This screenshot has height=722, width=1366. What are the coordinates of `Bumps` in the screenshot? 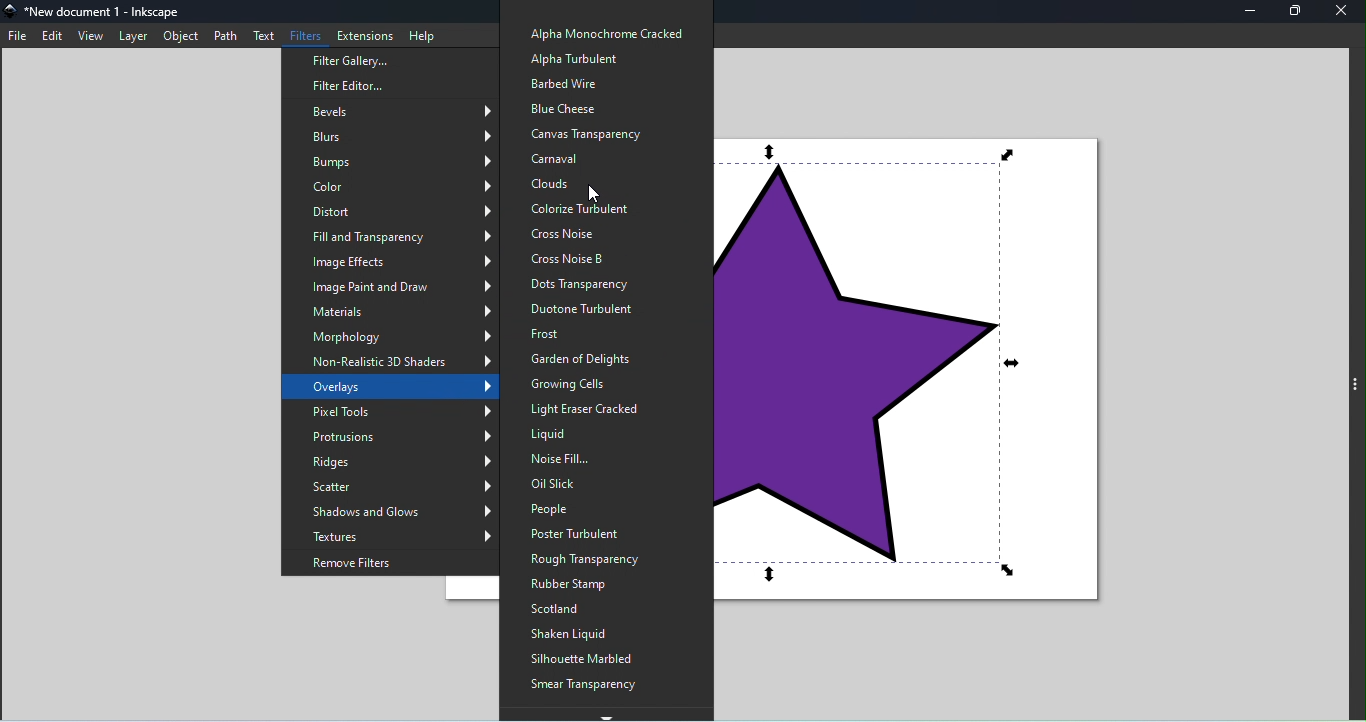 It's located at (388, 161).